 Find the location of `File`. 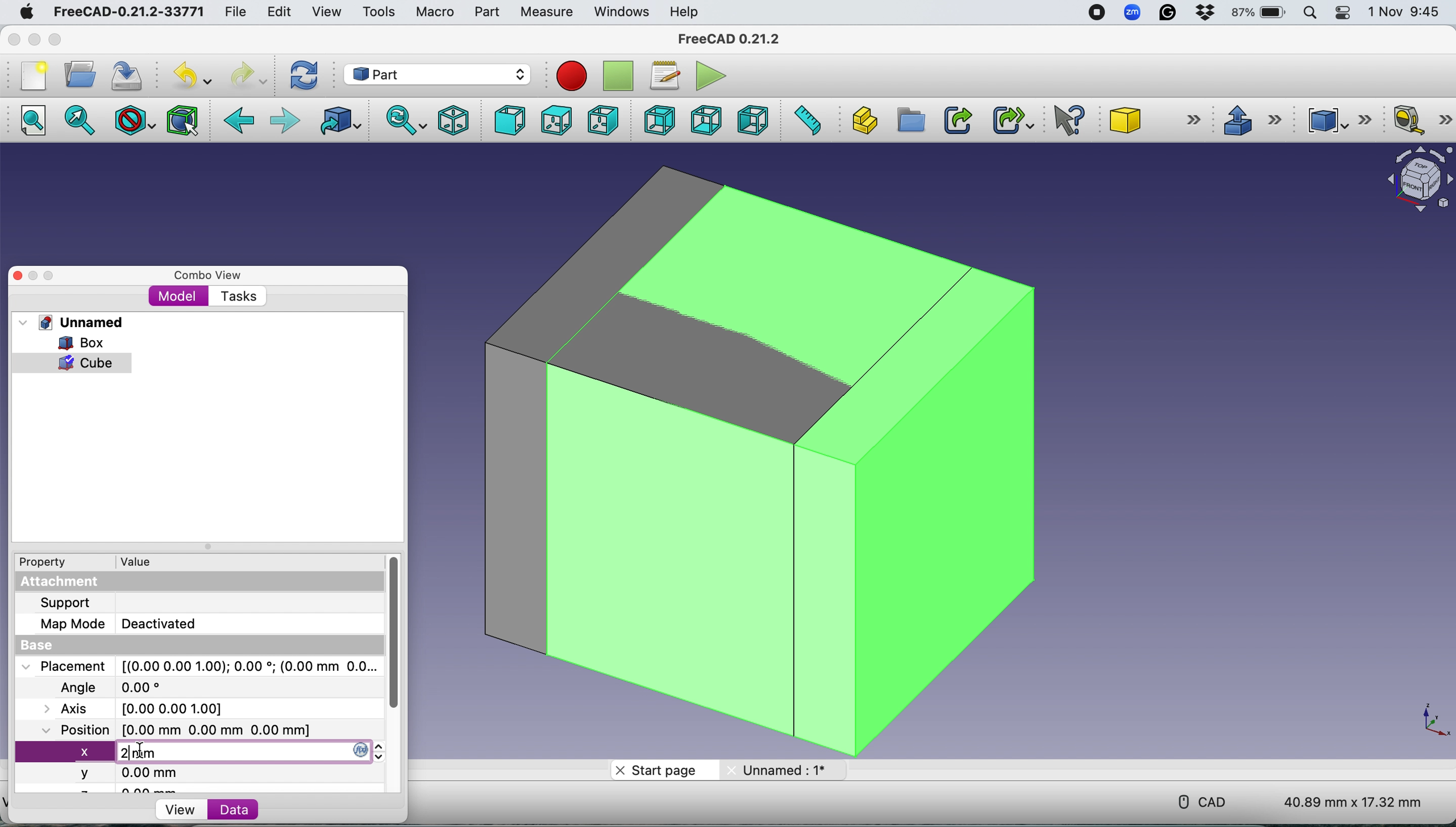

File is located at coordinates (232, 12).